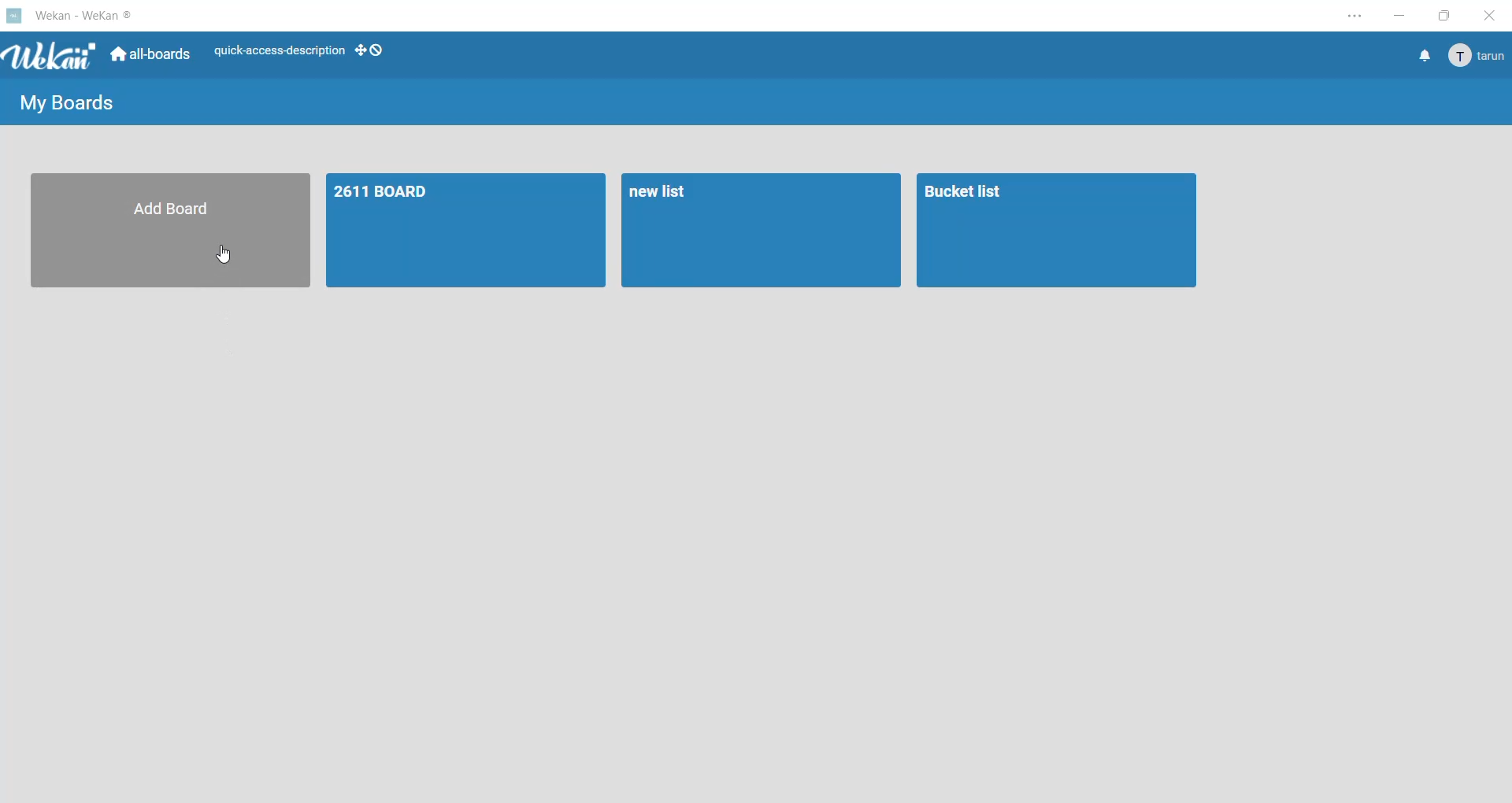 The width and height of the screenshot is (1512, 803). What do you see at coordinates (465, 229) in the screenshot?
I see `board 1` at bounding box center [465, 229].